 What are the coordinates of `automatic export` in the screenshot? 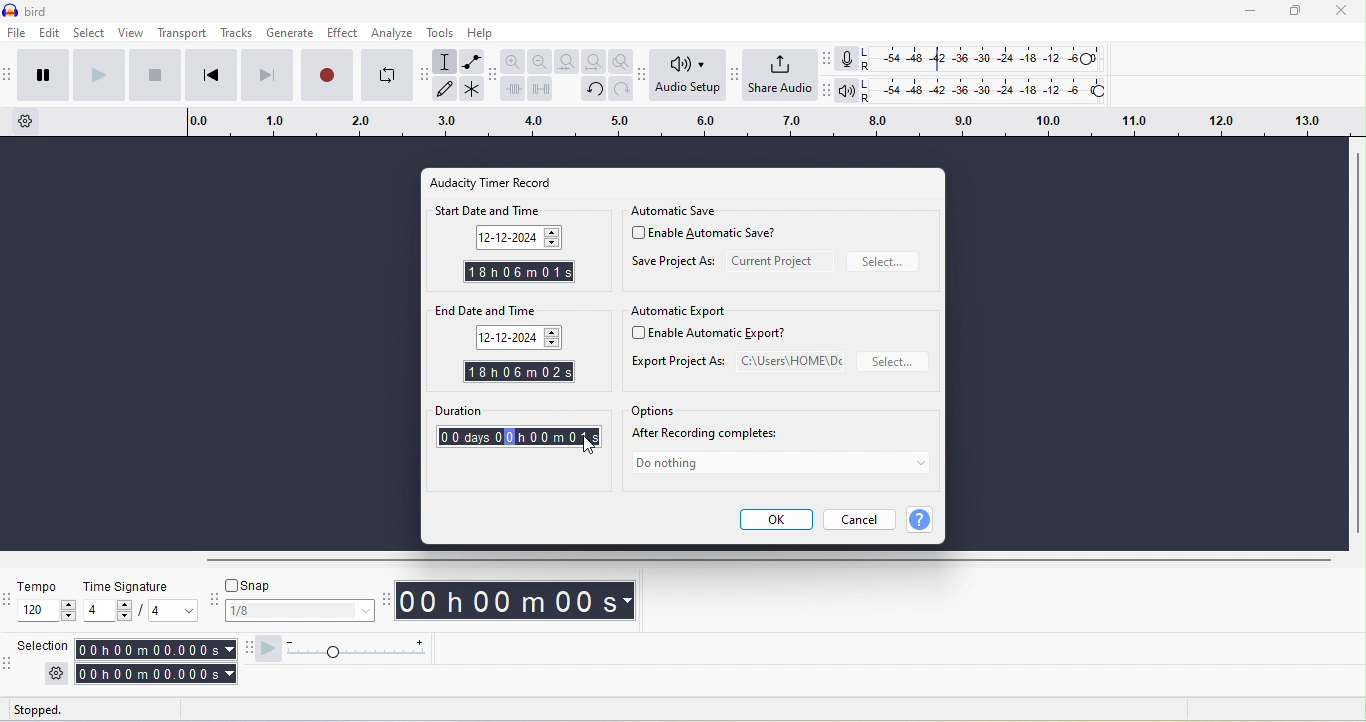 It's located at (679, 312).